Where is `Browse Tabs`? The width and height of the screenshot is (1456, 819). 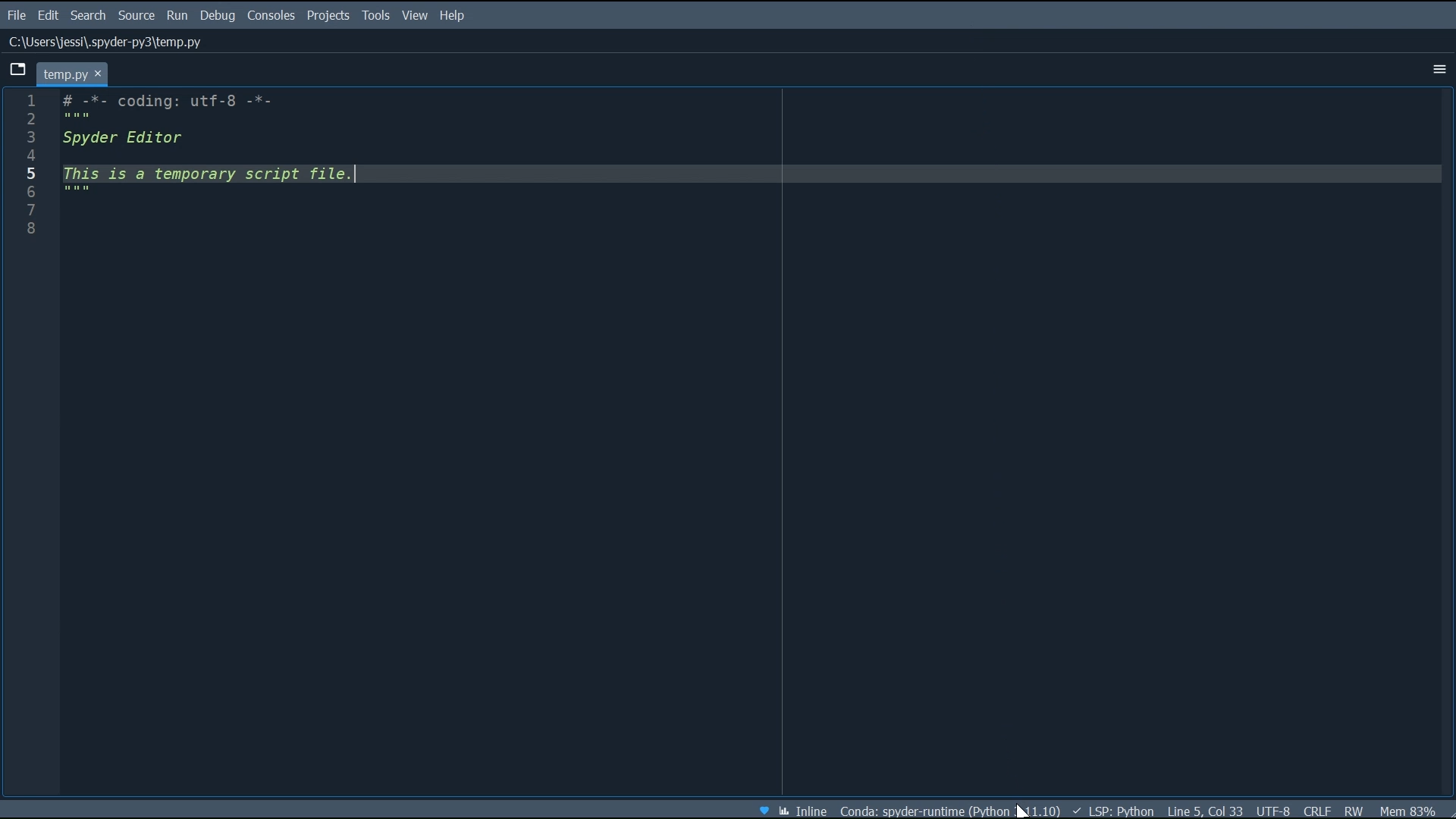 Browse Tabs is located at coordinates (19, 71).